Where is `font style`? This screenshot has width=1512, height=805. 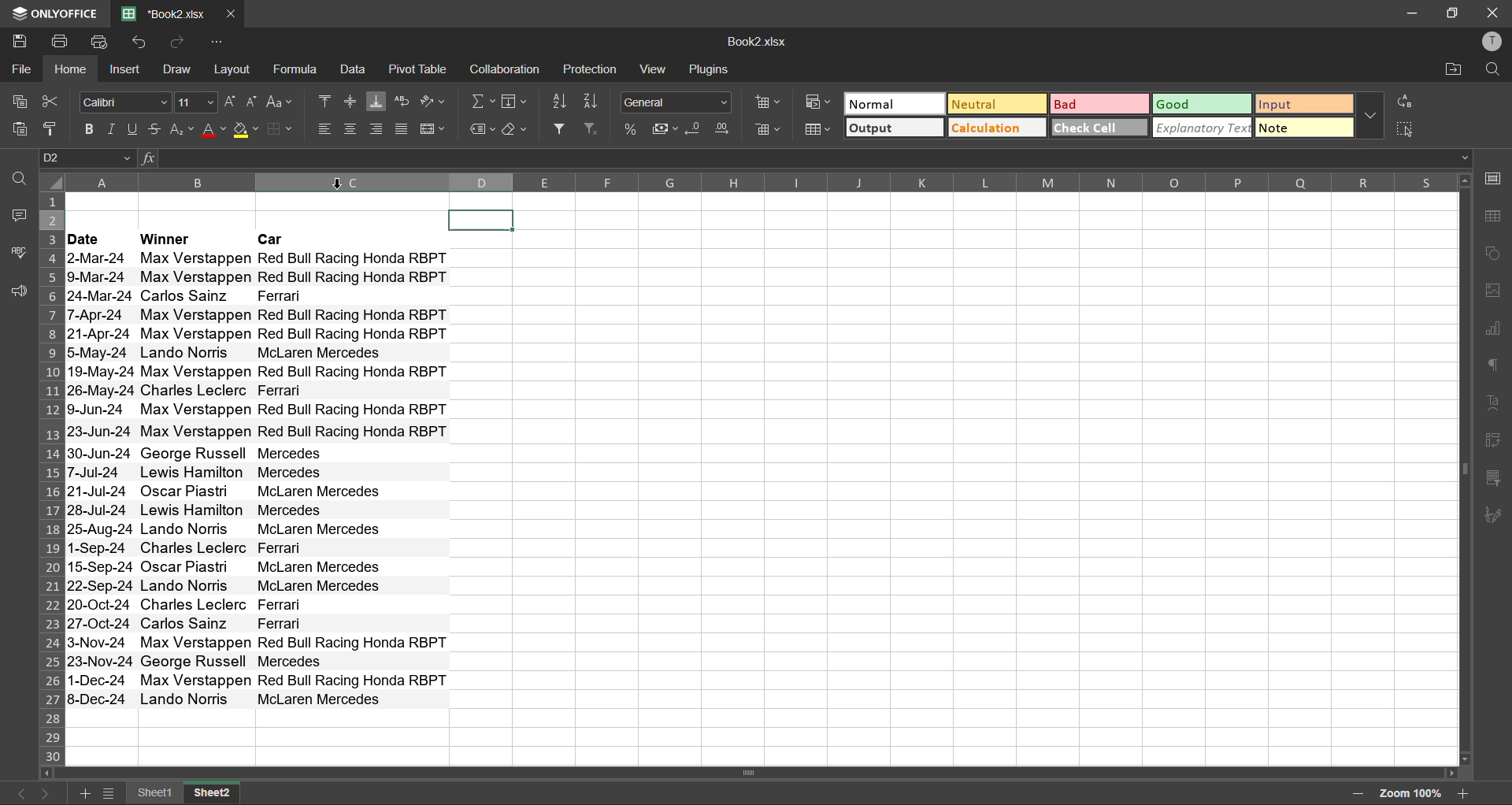
font style is located at coordinates (125, 102).